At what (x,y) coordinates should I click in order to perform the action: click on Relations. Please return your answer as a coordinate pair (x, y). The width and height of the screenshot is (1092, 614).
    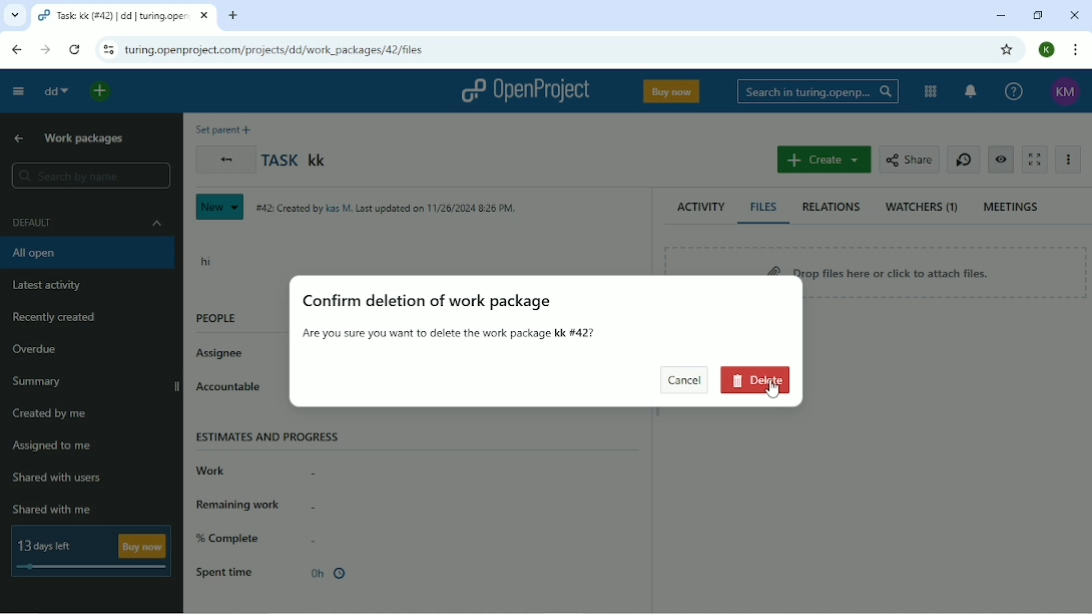
    Looking at the image, I should click on (832, 207).